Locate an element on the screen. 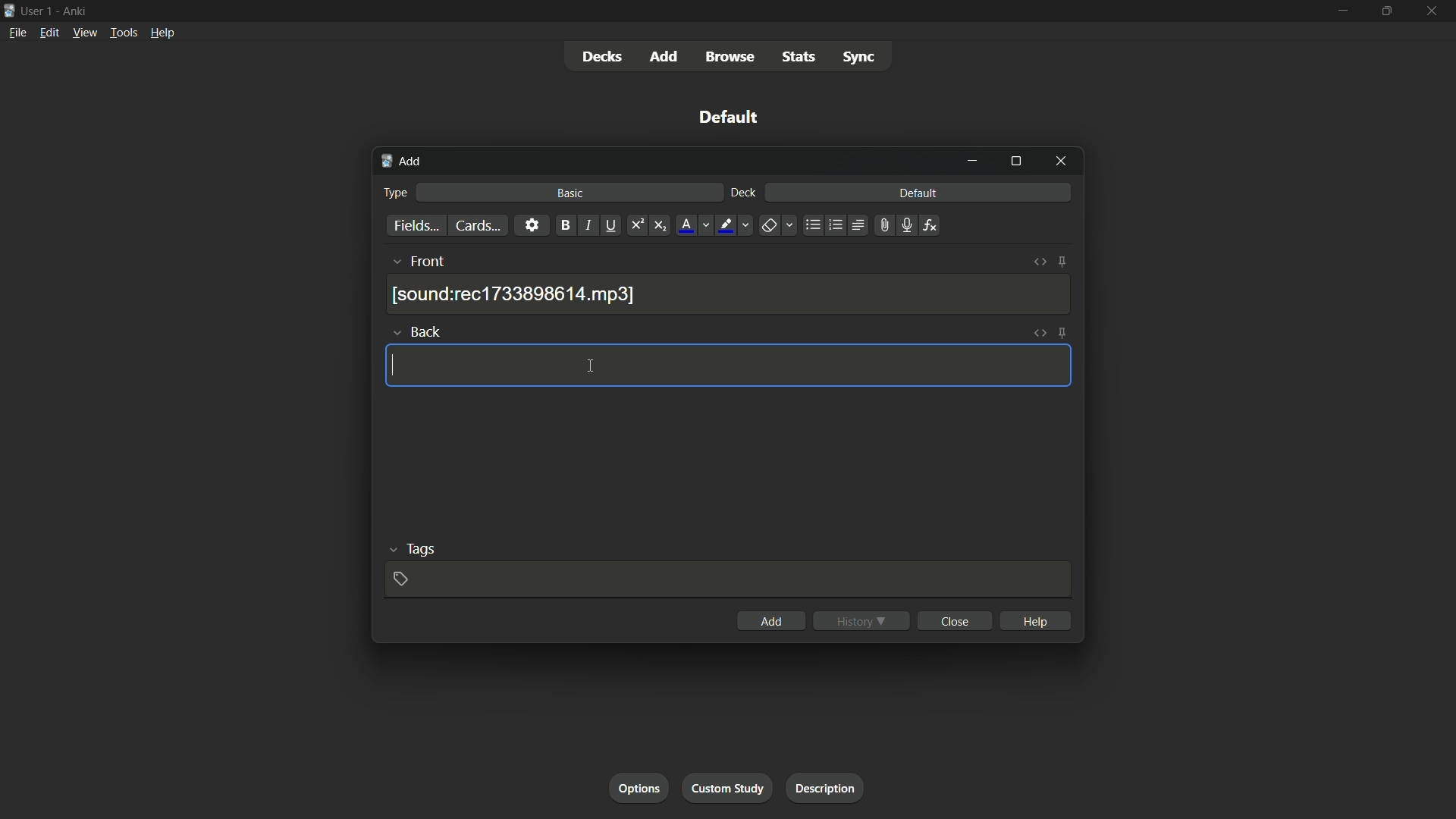 The image size is (1456, 819). close window is located at coordinates (1059, 162).